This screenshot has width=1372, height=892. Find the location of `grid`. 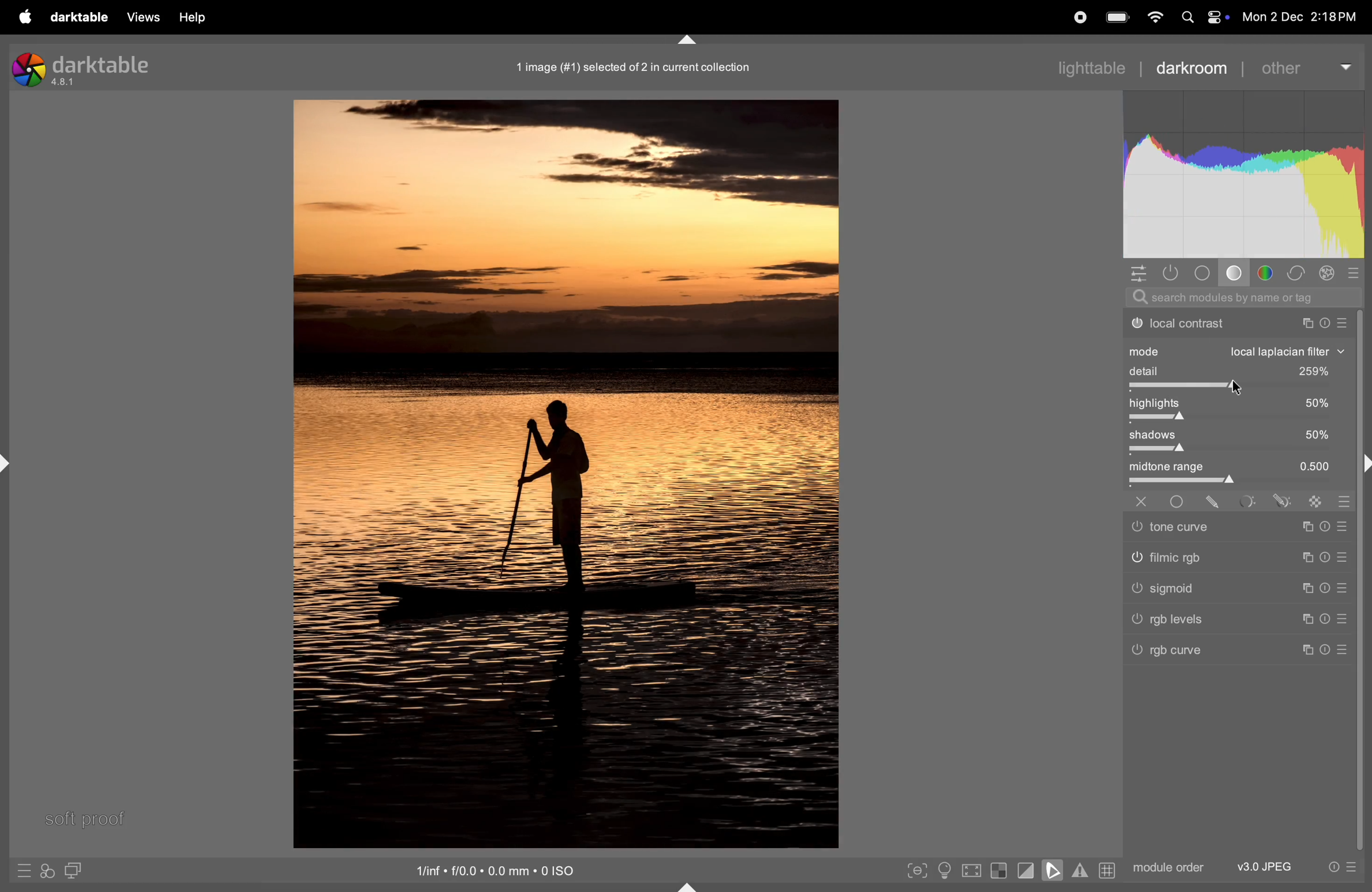

grid is located at coordinates (1106, 869).